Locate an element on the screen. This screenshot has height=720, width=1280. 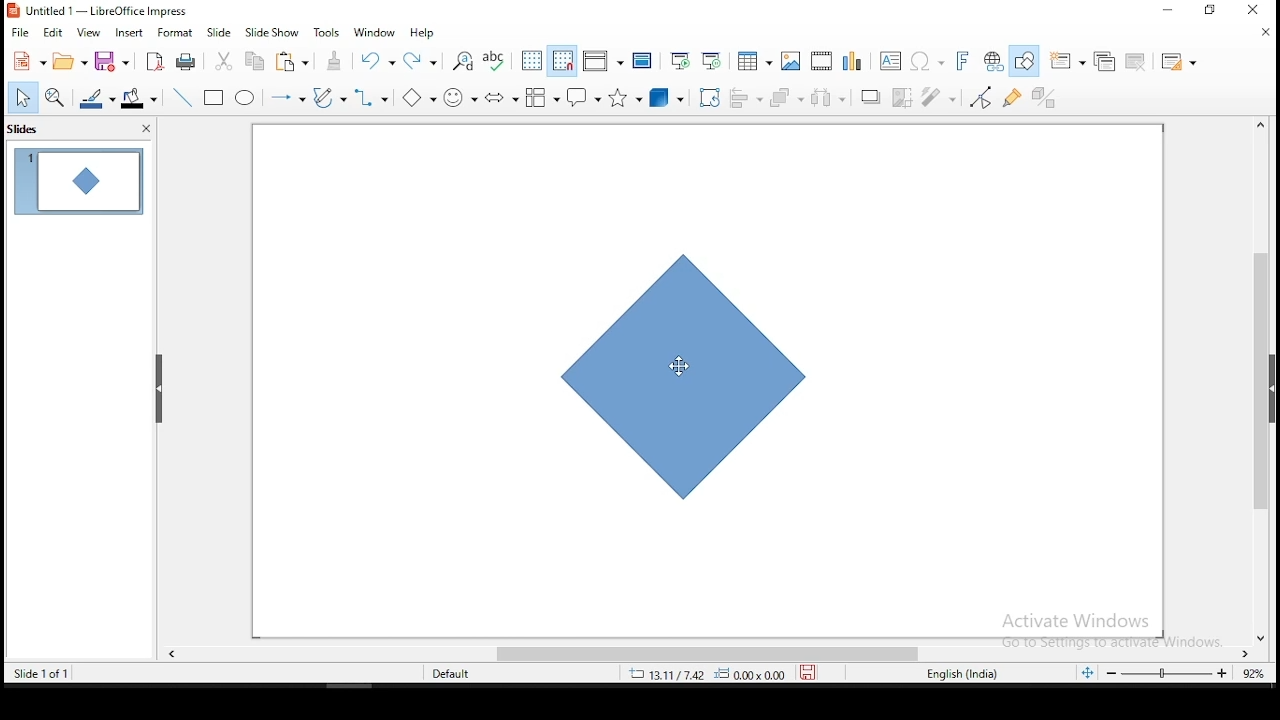
shadow is located at coordinates (871, 96).